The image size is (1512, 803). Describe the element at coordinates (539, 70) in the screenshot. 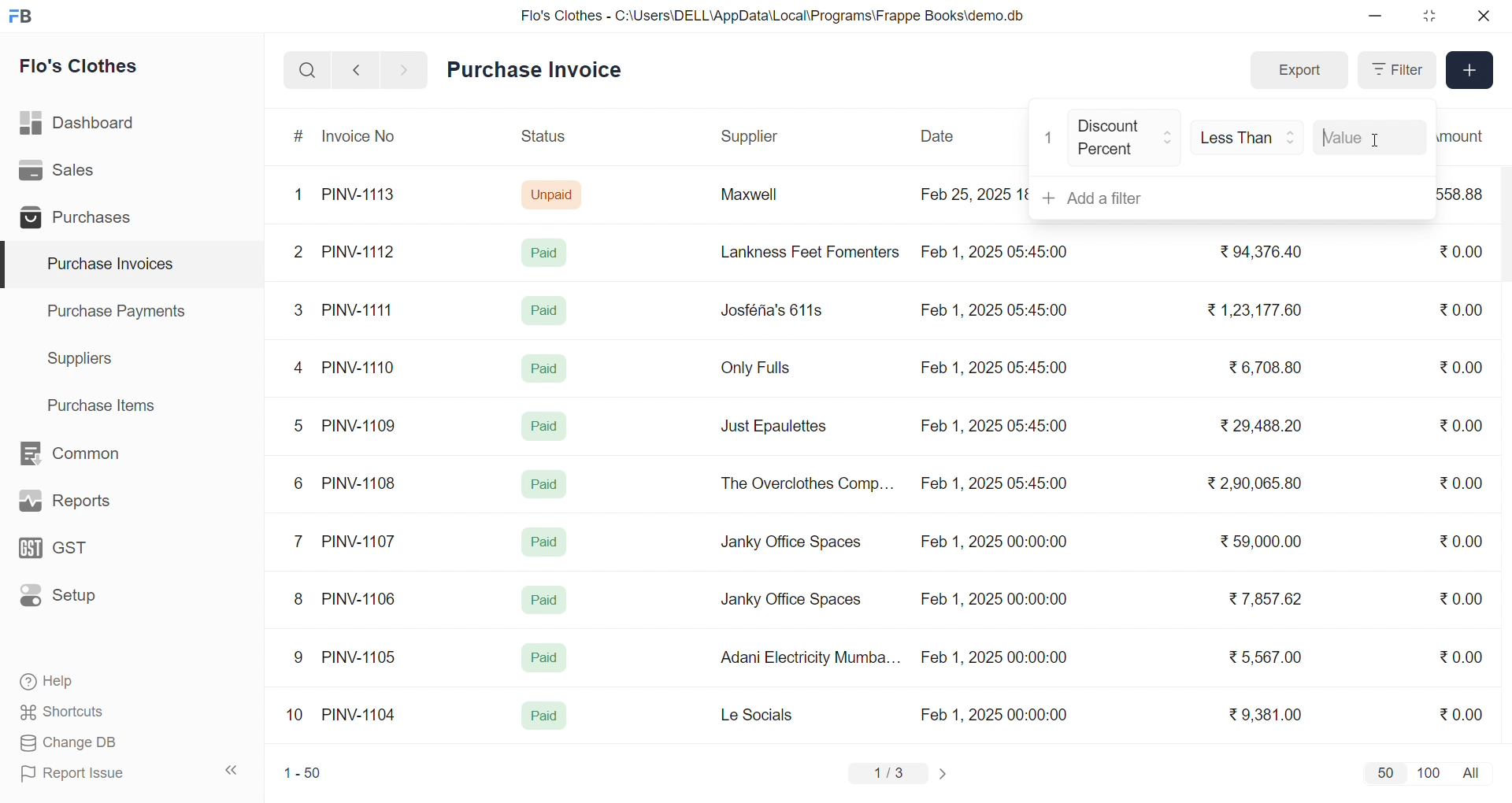

I see `Purchase Invoice` at that location.